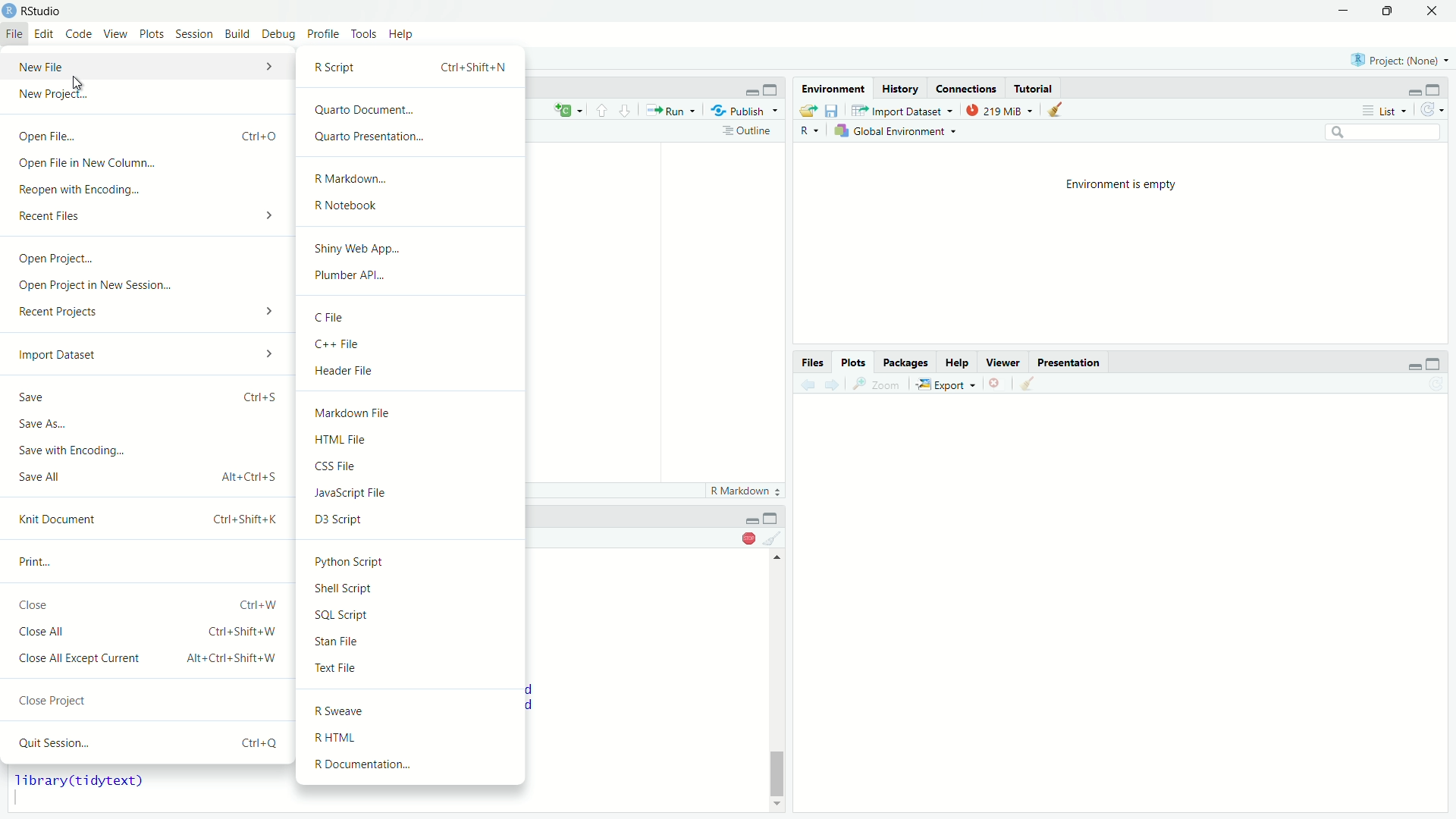 This screenshot has width=1456, height=819. I want to click on Knit Document, so click(147, 518).